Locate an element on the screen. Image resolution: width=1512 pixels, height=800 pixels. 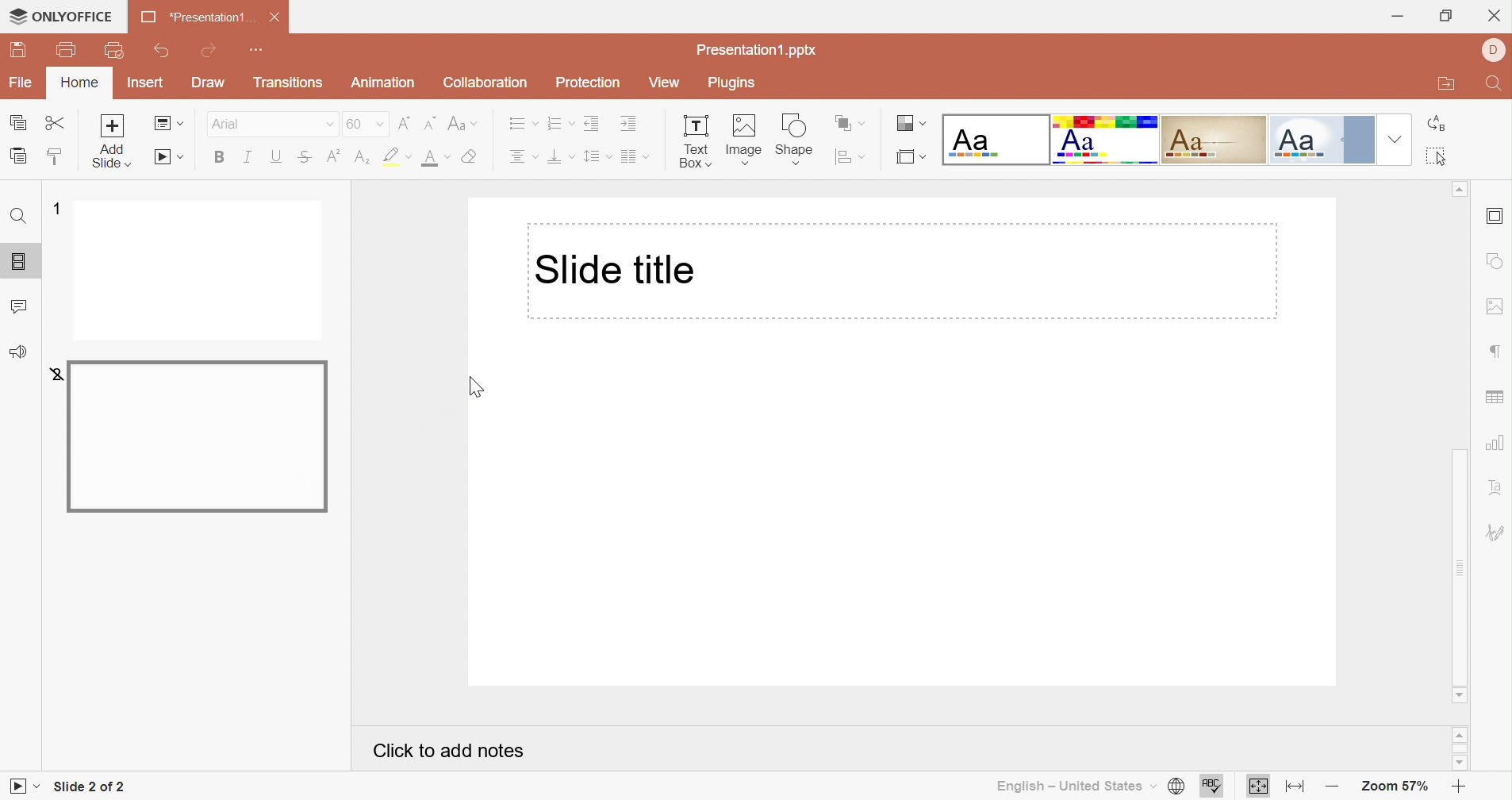
Shape is located at coordinates (795, 138).